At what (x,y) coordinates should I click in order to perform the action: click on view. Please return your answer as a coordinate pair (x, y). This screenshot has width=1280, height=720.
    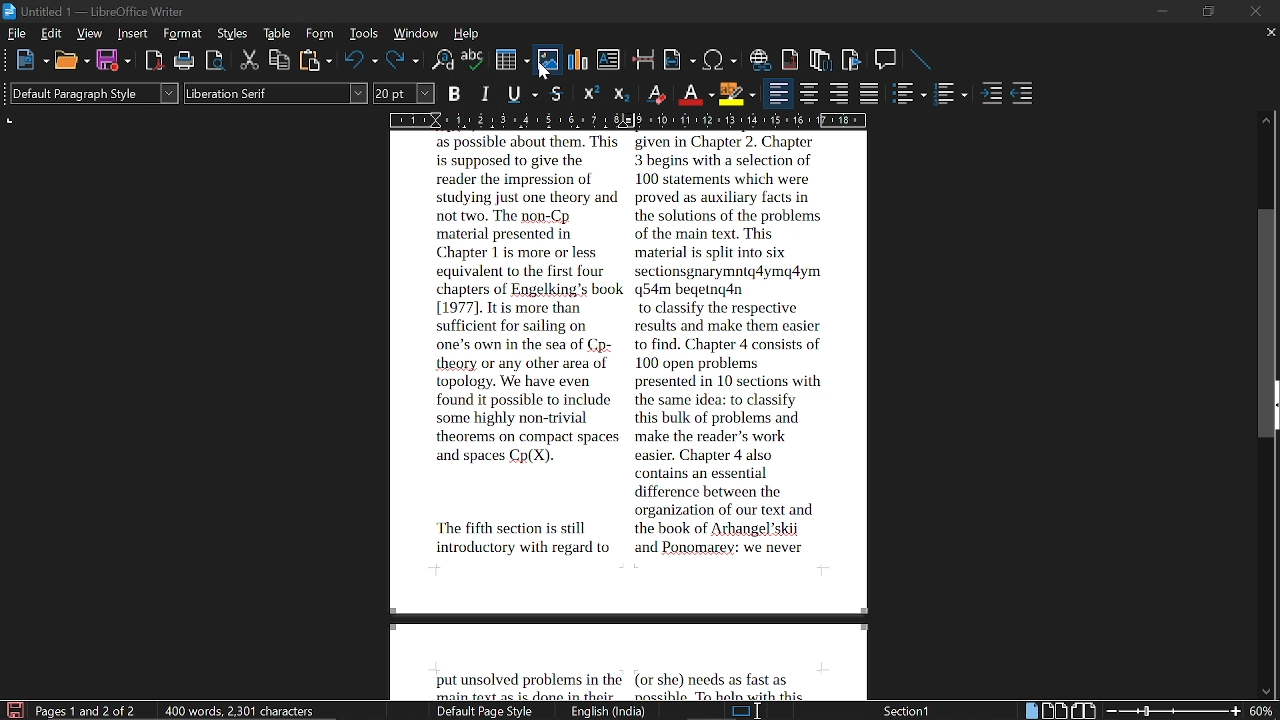
    Looking at the image, I should click on (91, 33).